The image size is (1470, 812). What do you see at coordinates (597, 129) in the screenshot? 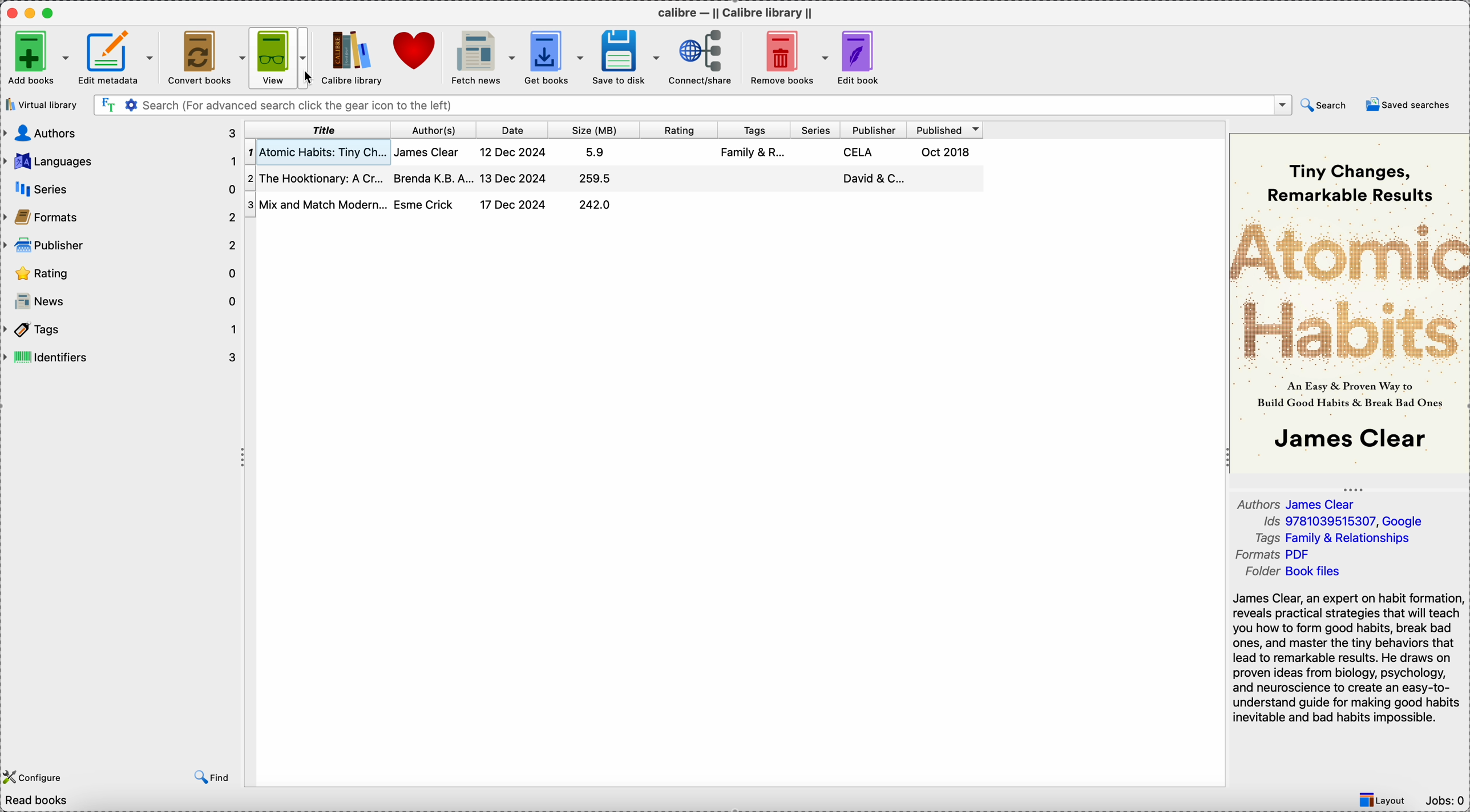
I see `size` at bounding box center [597, 129].